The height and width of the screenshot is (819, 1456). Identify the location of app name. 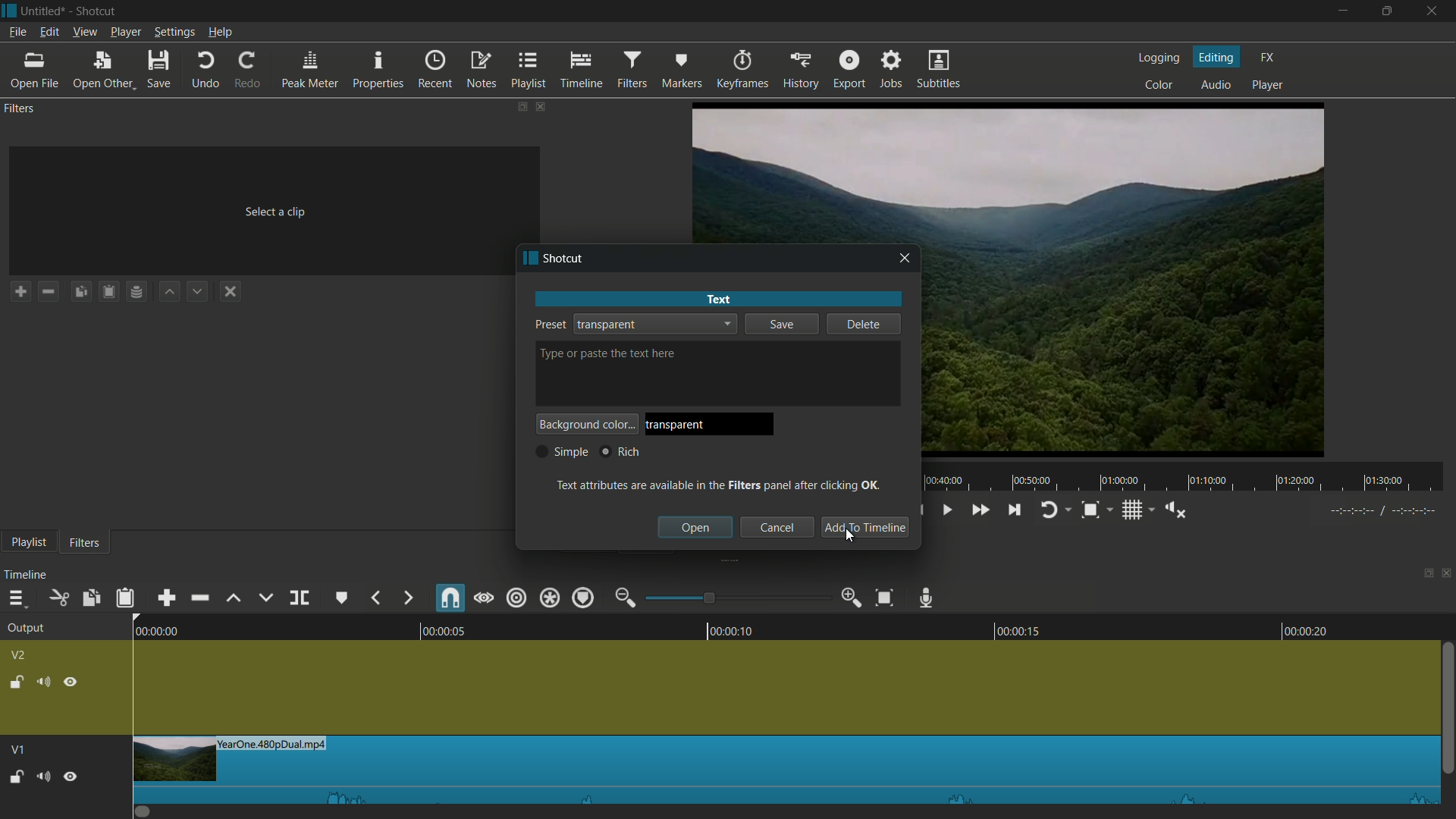
(98, 11).